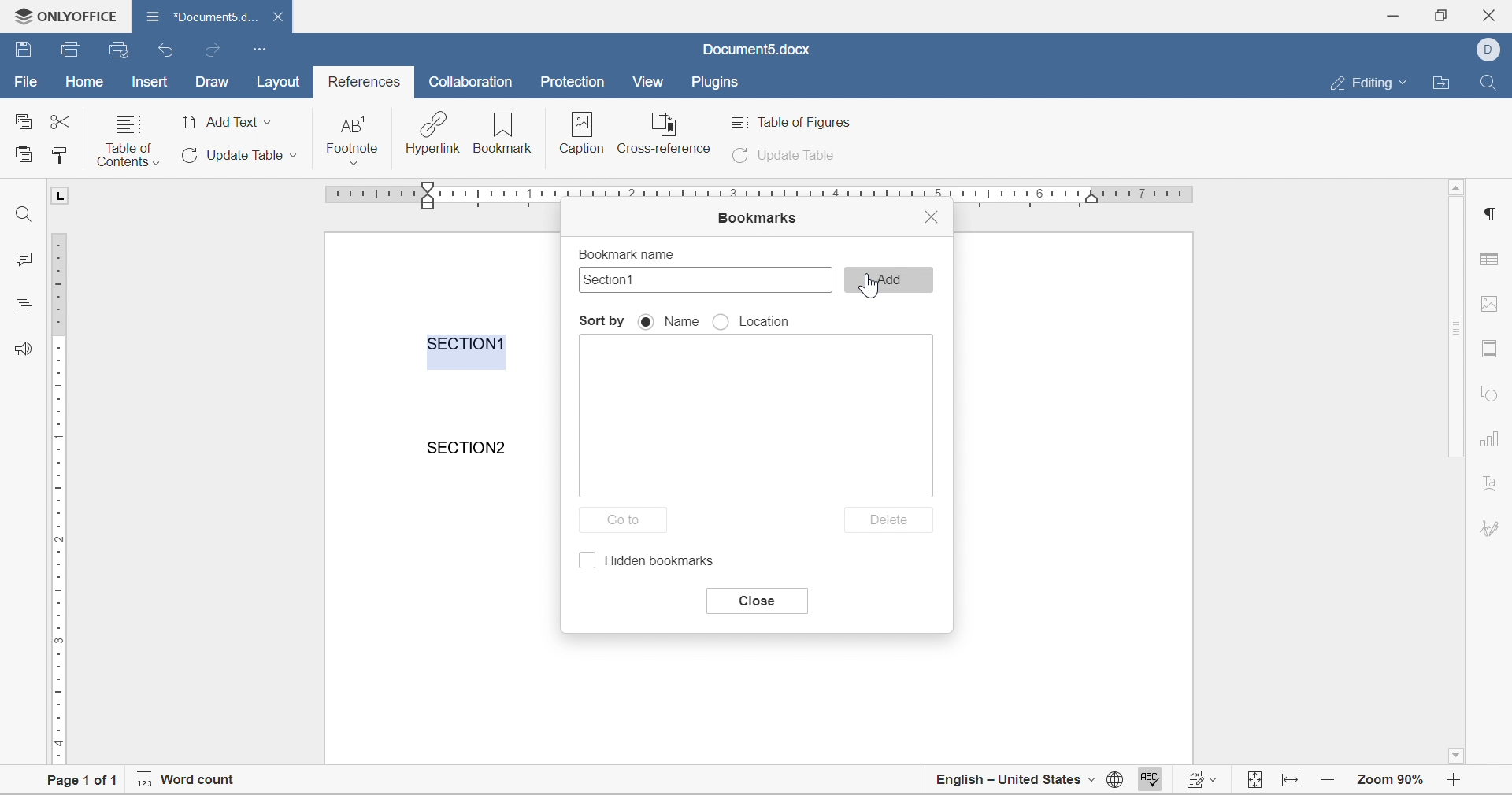 The width and height of the screenshot is (1512, 795). I want to click on chart settings, so click(1492, 441).